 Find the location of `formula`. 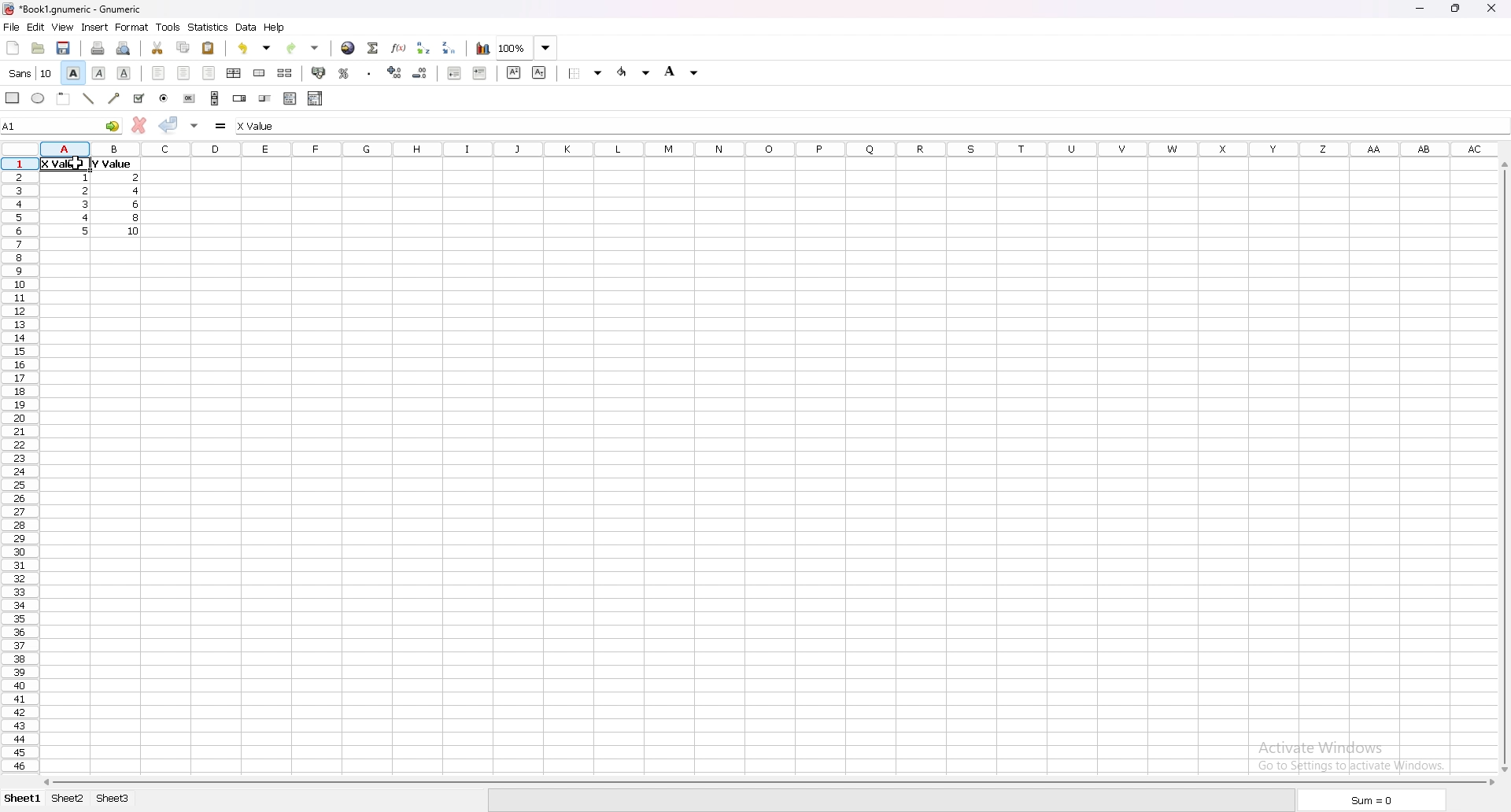

formula is located at coordinates (222, 125).